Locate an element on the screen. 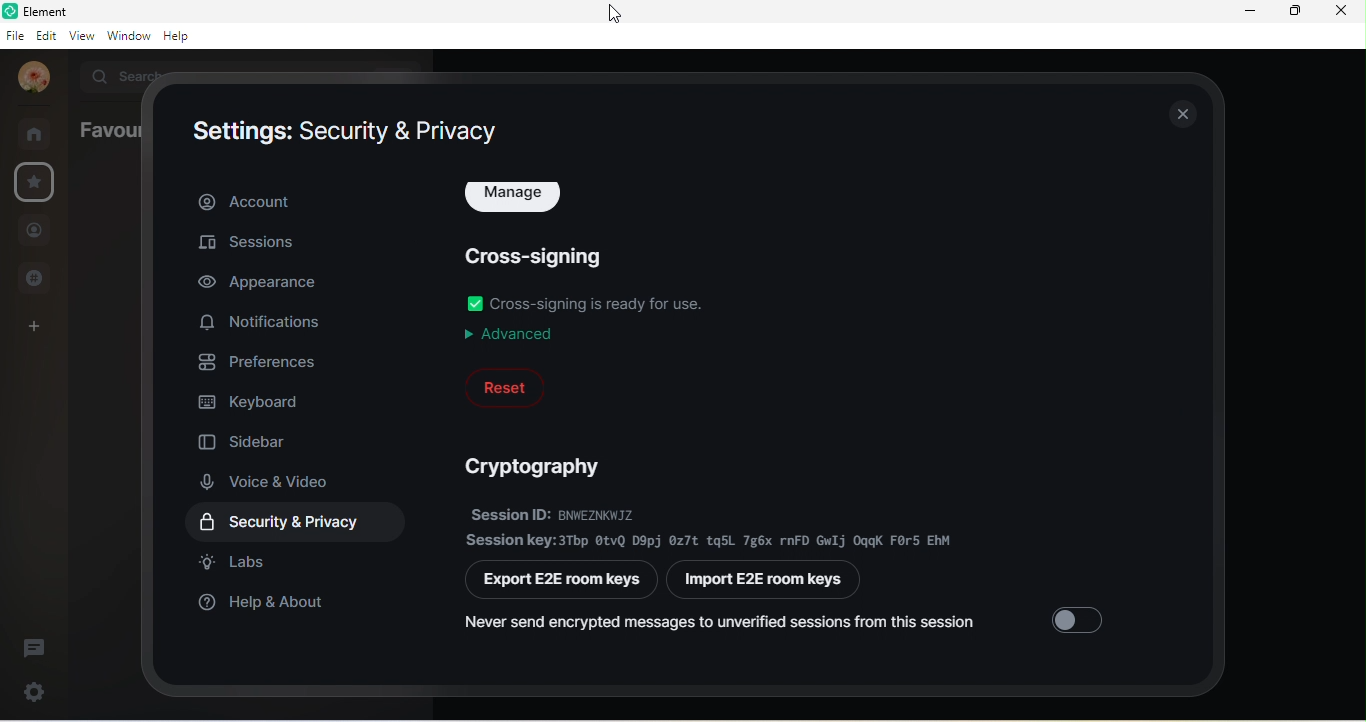 This screenshot has height=722, width=1366. Never send encrypted messages to unverified sessions from this session is located at coordinates (744, 626).